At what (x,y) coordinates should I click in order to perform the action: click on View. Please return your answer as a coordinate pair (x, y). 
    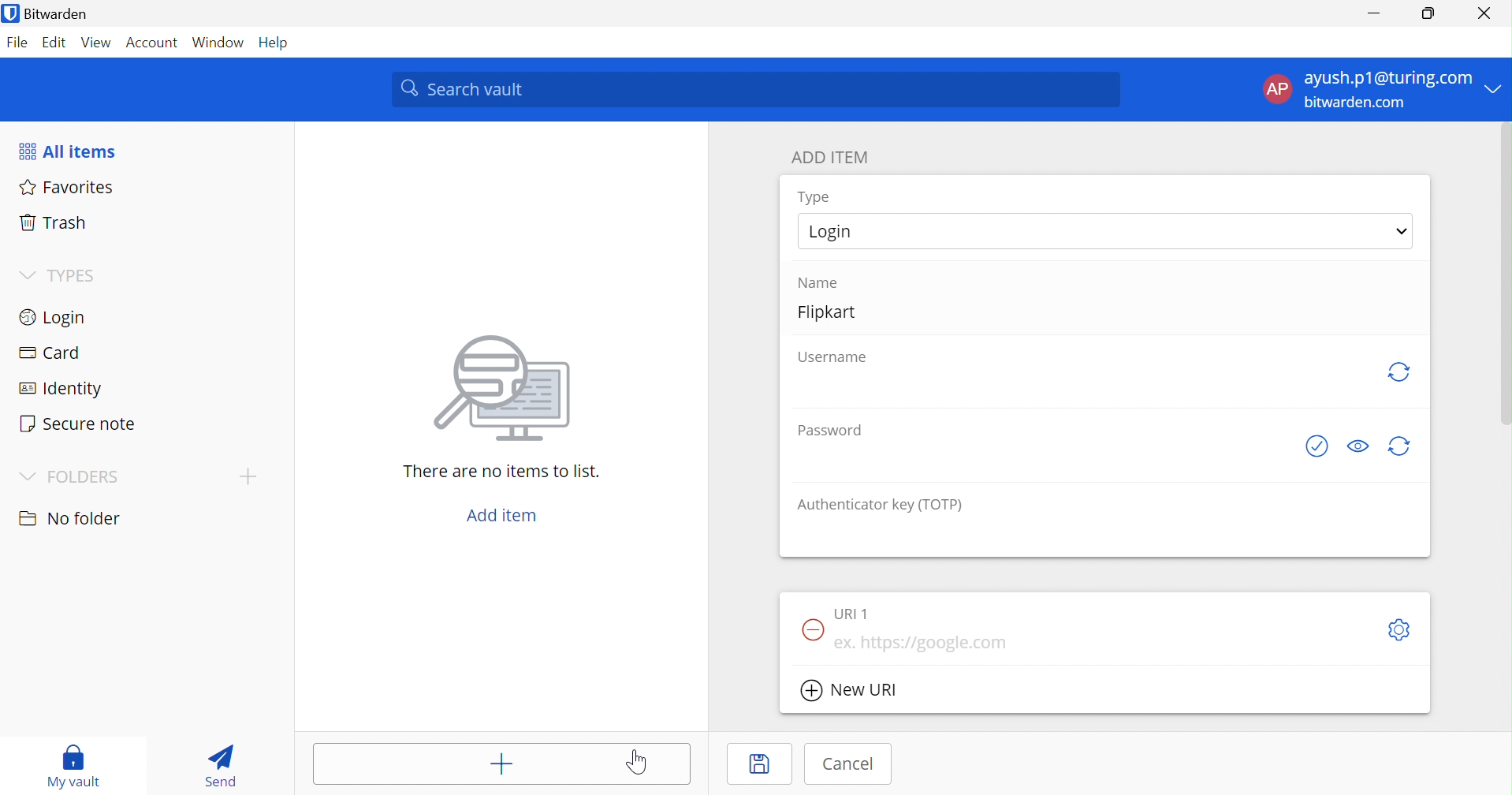
    Looking at the image, I should click on (94, 42).